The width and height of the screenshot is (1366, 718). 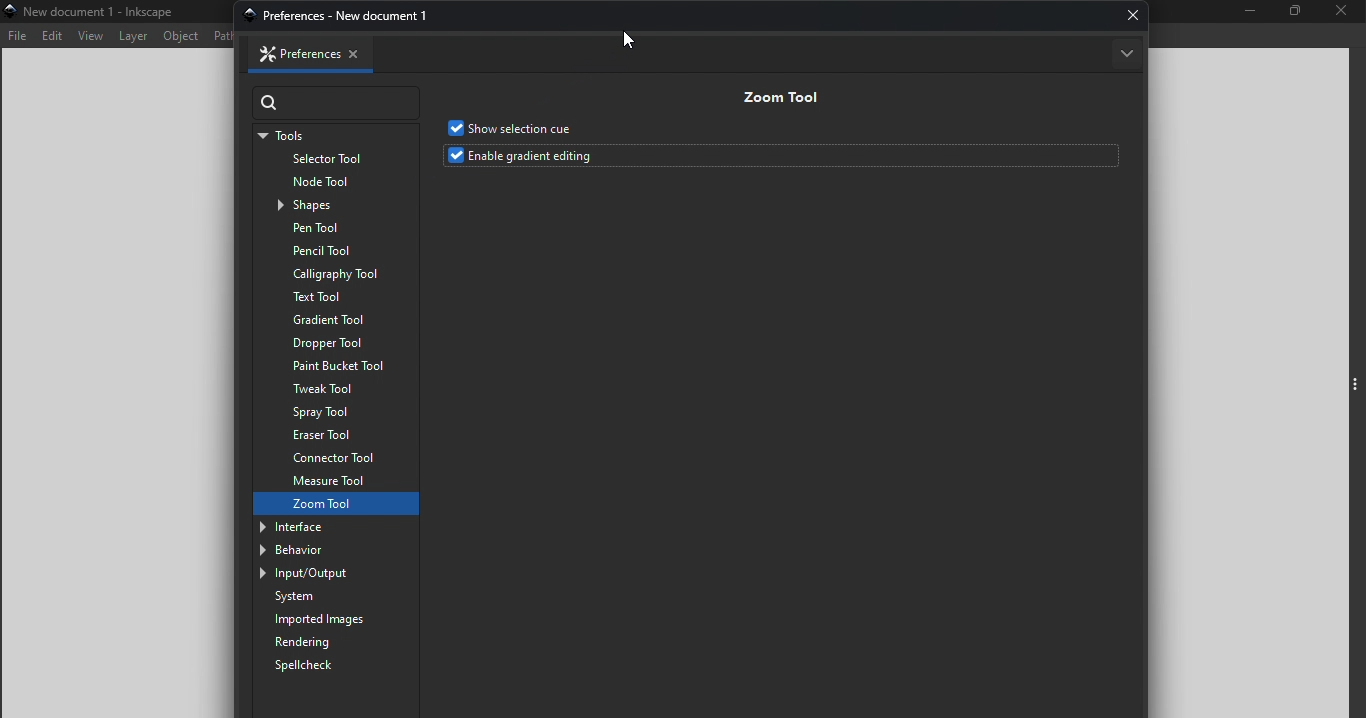 What do you see at coordinates (550, 157) in the screenshot?
I see `Enable gradient editing` at bounding box center [550, 157].